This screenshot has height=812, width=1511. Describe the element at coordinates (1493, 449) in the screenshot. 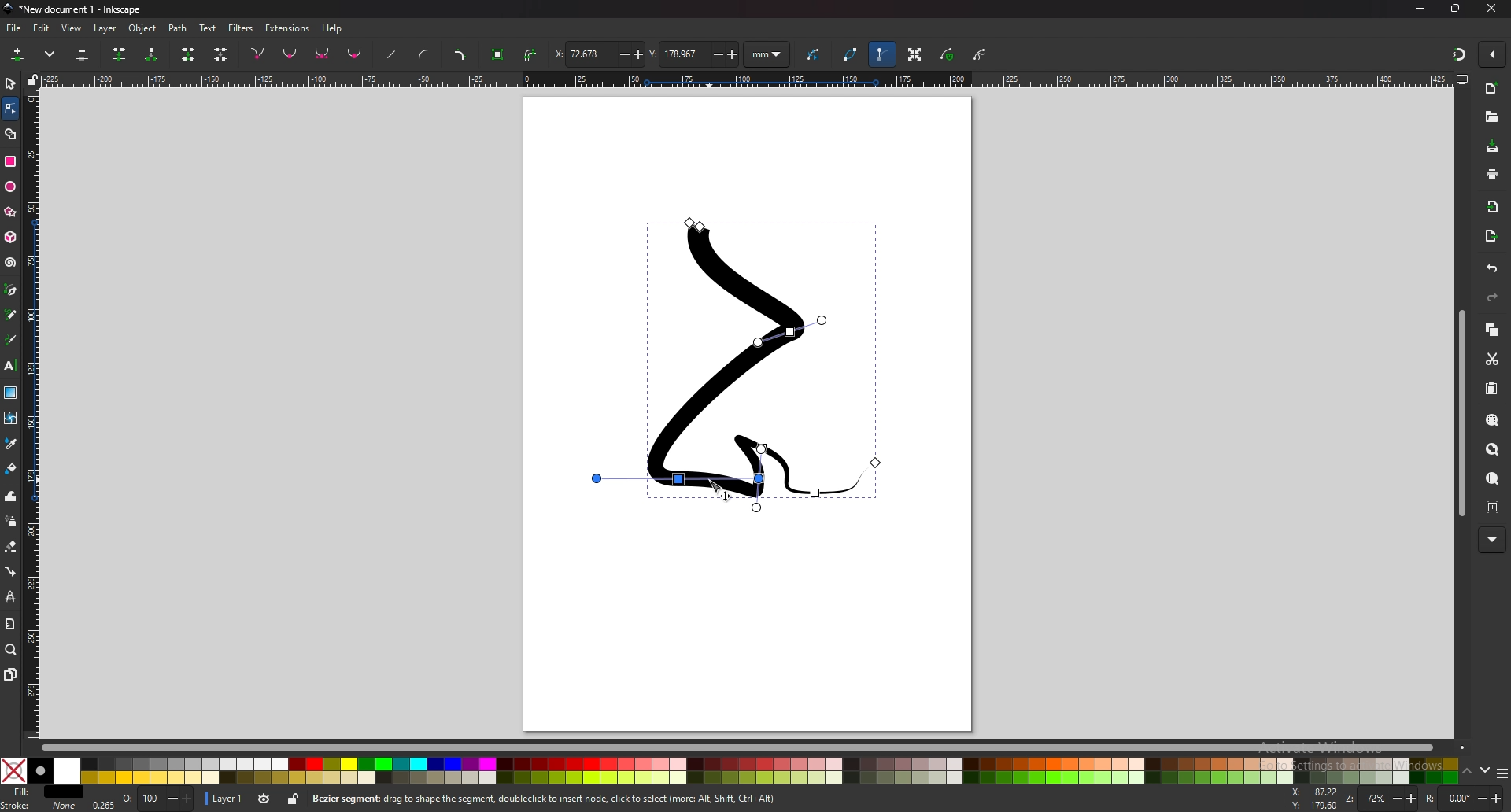

I see `zoom drawing` at that location.